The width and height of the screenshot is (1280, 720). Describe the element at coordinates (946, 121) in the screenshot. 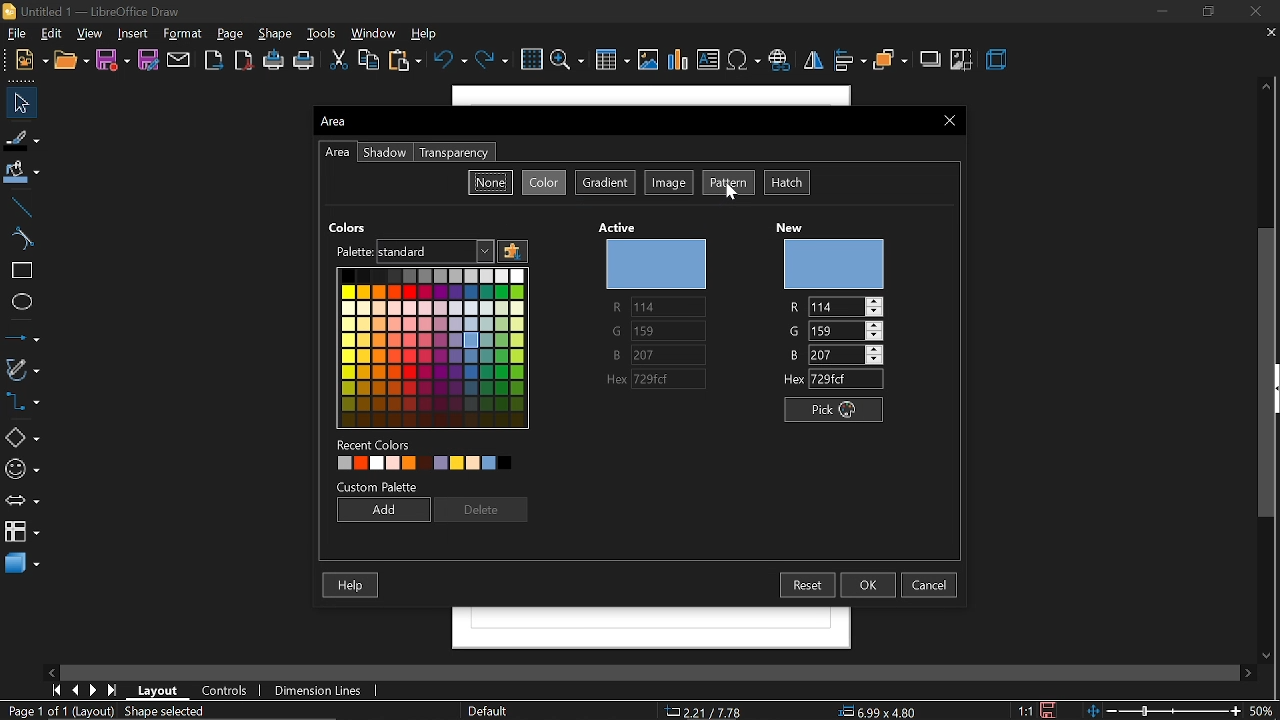

I see `Close` at that location.